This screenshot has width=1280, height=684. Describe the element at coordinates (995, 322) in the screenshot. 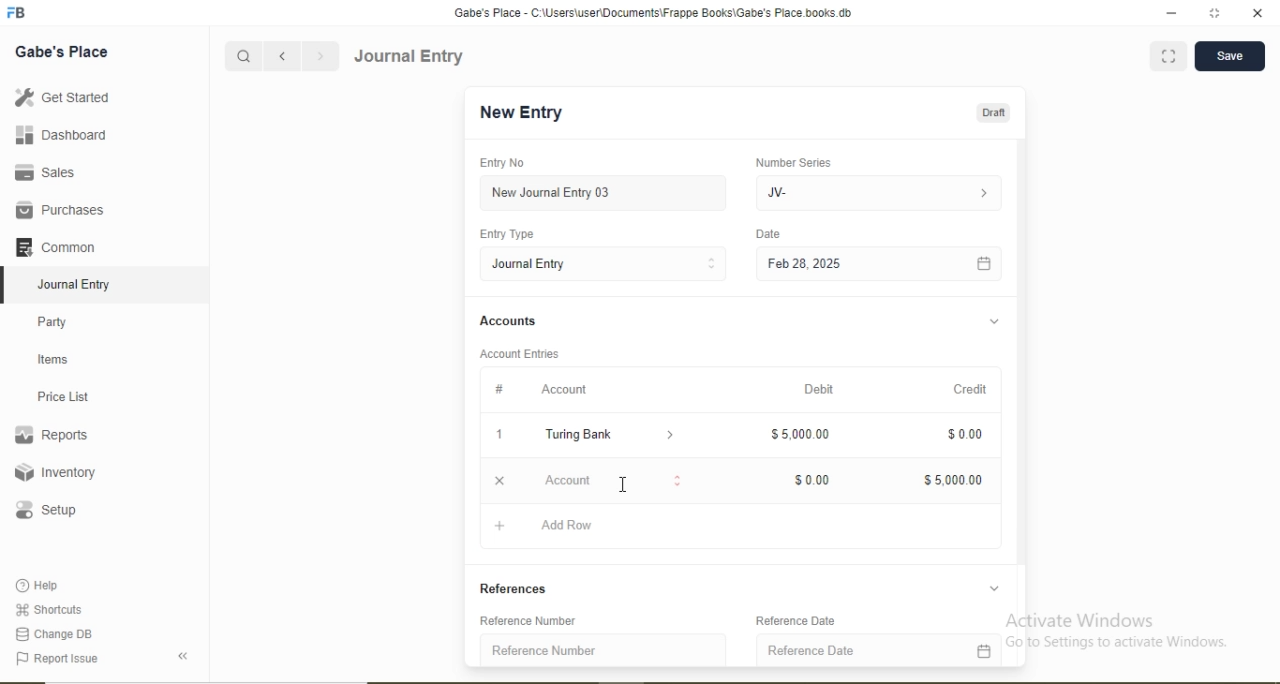

I see `Dropdown` at that location.